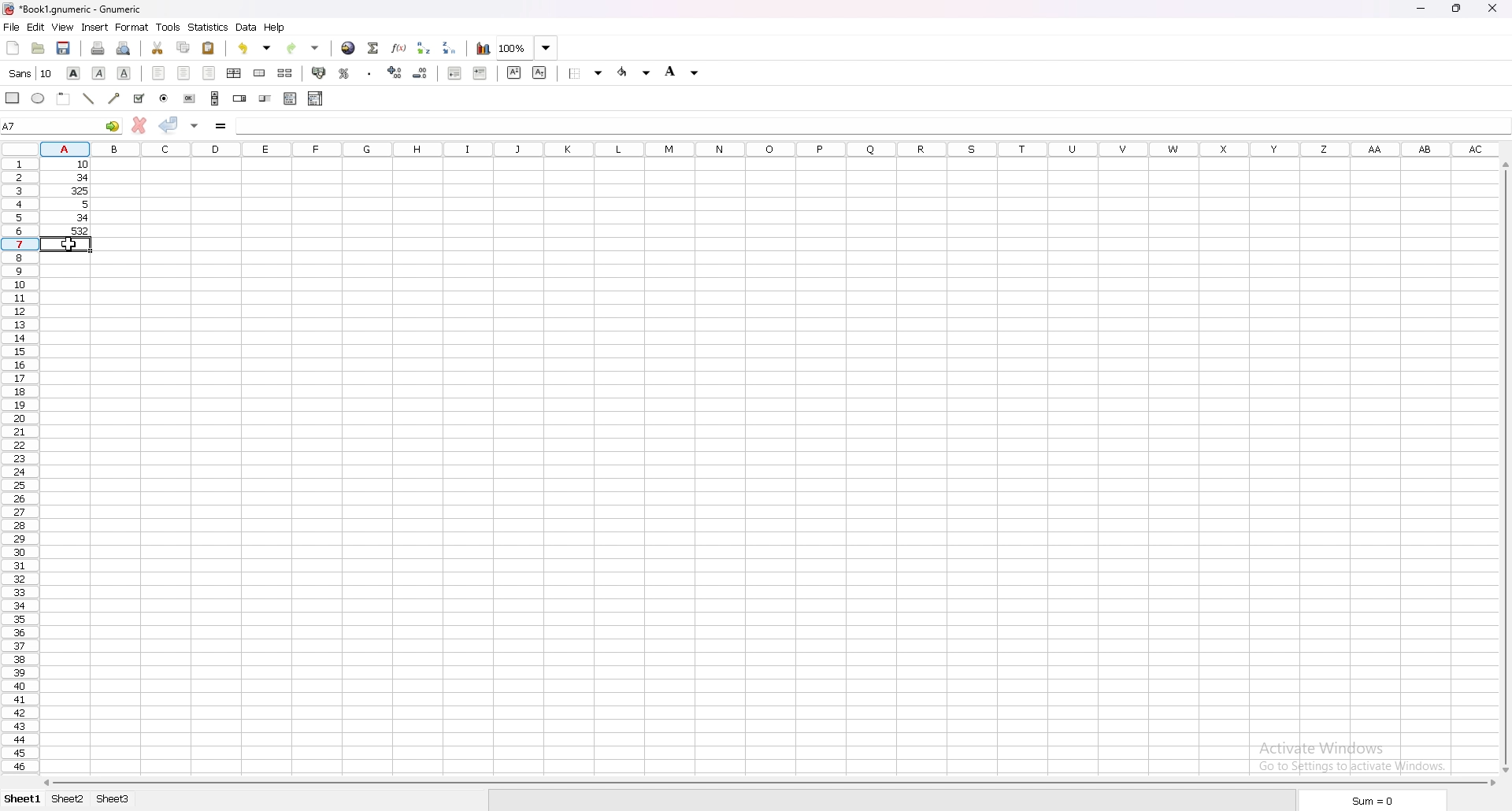 The width and height of the screenshot is (1512, 811). Describe the element at coordinates (98, 47) in the screenshot. I see `print` at that location.